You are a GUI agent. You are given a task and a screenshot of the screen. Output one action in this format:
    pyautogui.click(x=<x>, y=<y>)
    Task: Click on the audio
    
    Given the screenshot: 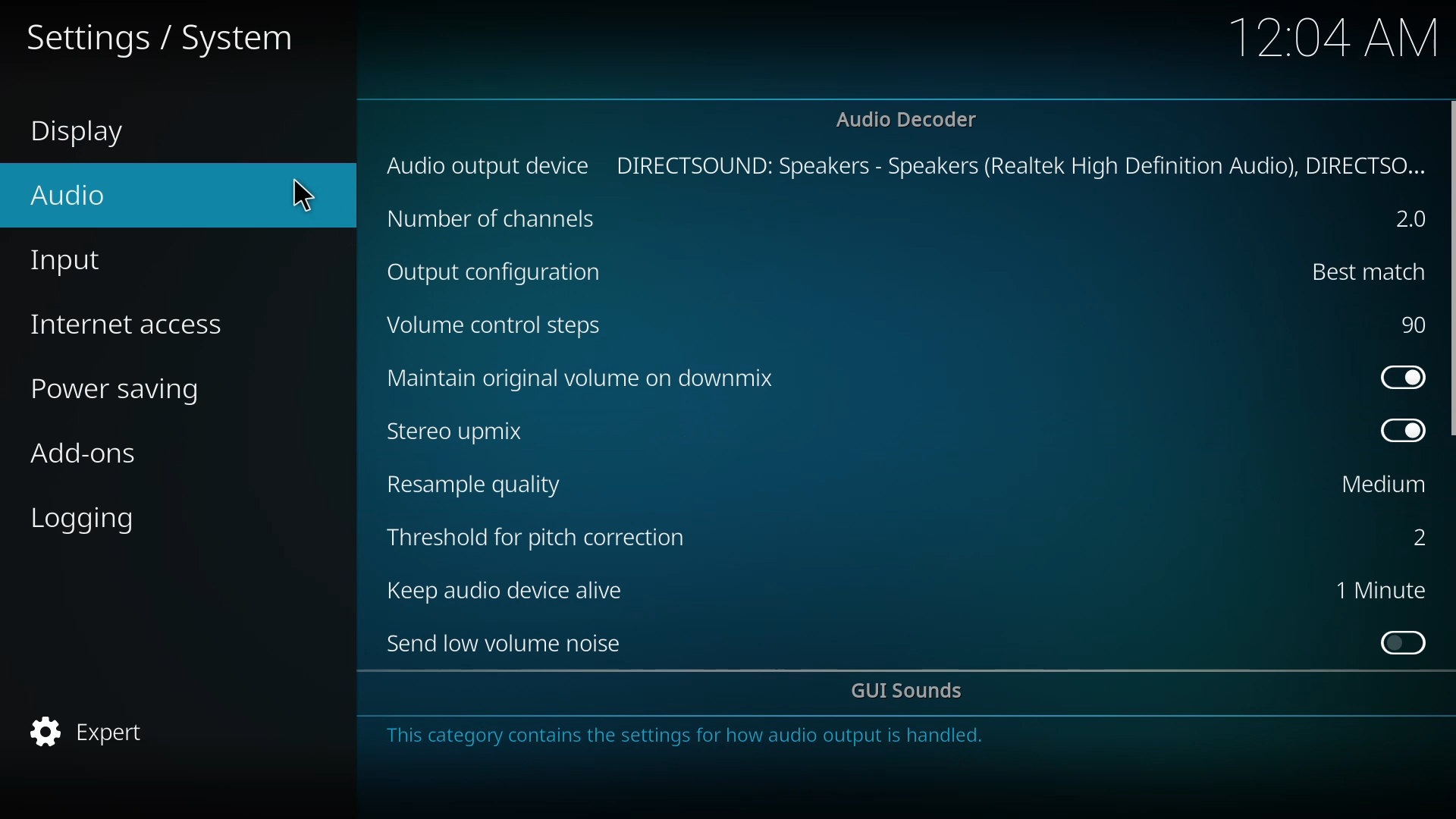 What is the action you would take?
    pyautogui.click(x=82, y=190)
    